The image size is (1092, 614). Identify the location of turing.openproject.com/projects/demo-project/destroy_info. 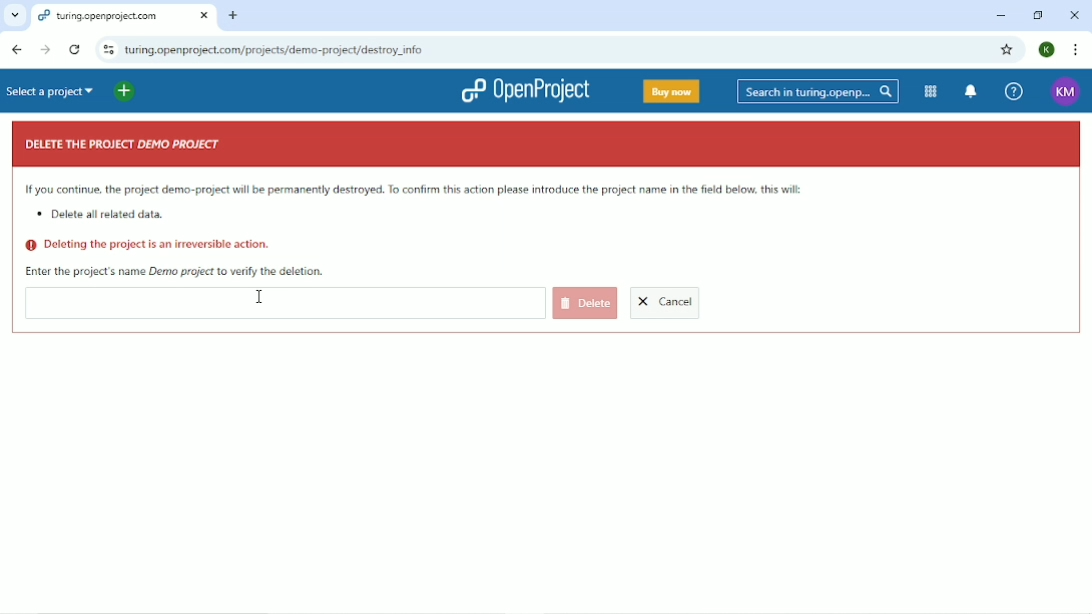
(312, 49).